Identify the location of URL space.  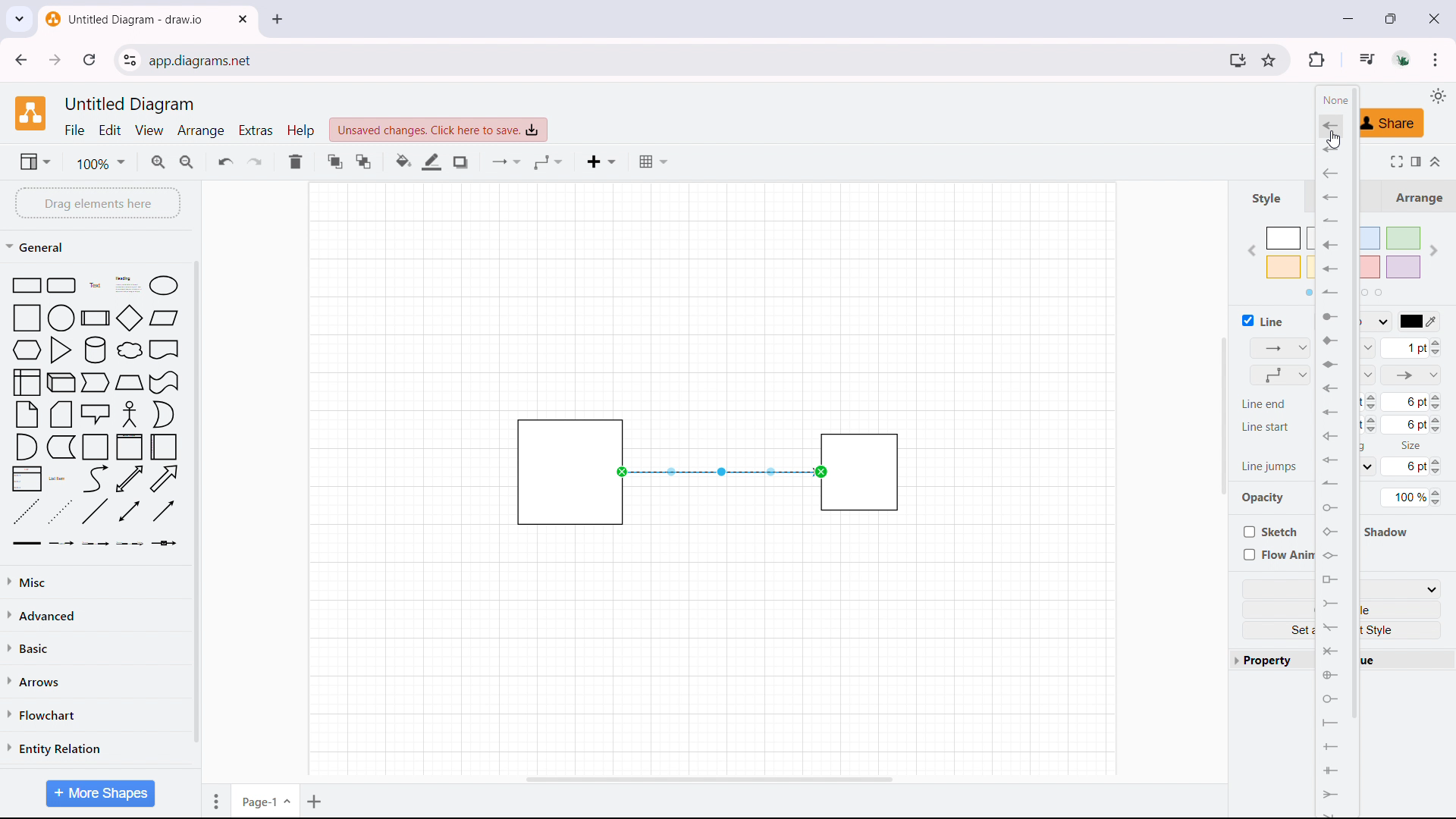
(683, 59).